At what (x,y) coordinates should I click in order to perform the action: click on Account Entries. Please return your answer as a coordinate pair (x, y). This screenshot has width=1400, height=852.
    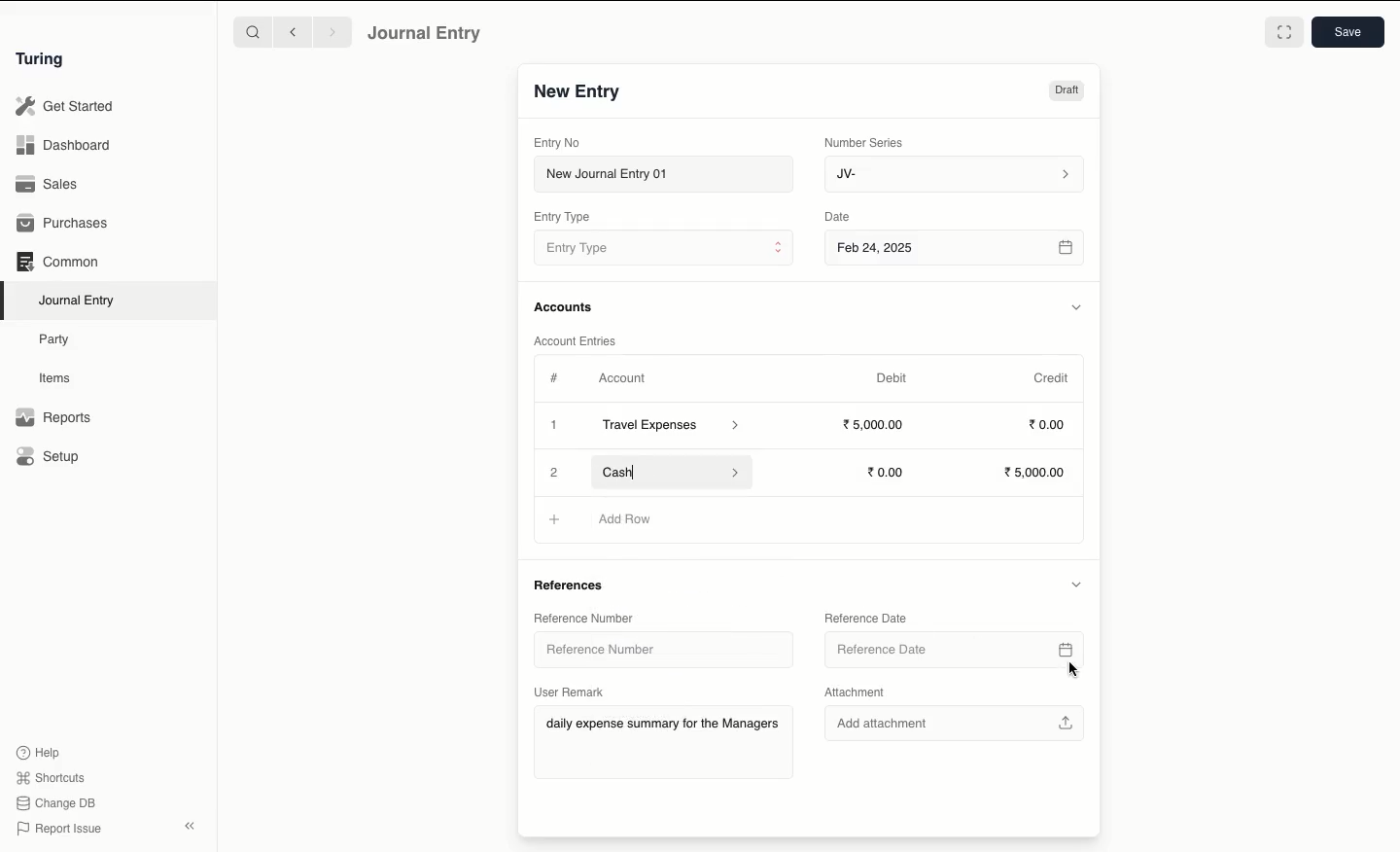
    Looking at the image, I should click on (578, 340).